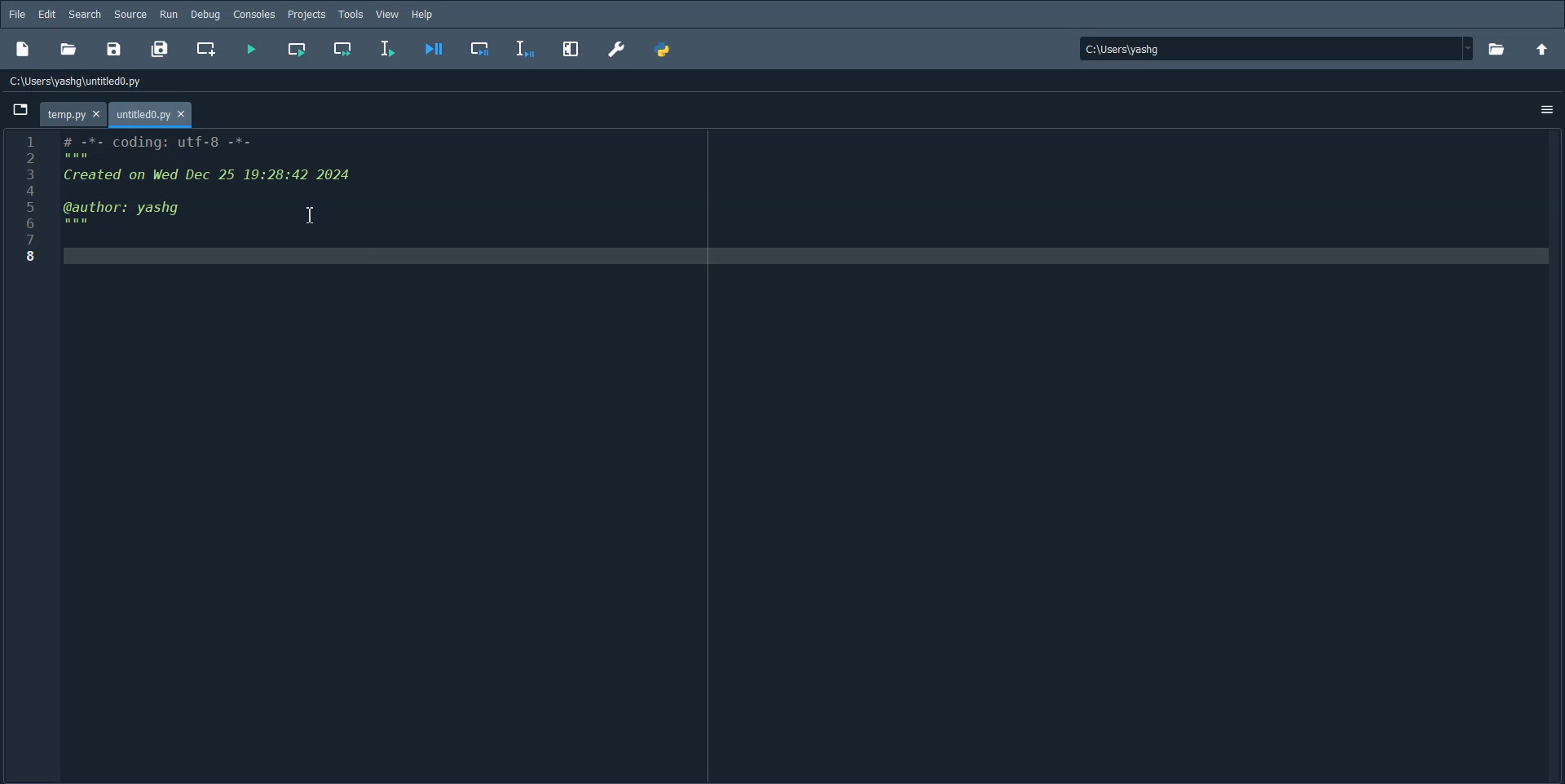 The width and height of the screenshot is (1565, 784). What do you see at coordinates (351, 14) in the screenshot?
I see `Tools` at bounding box center [351, 14].